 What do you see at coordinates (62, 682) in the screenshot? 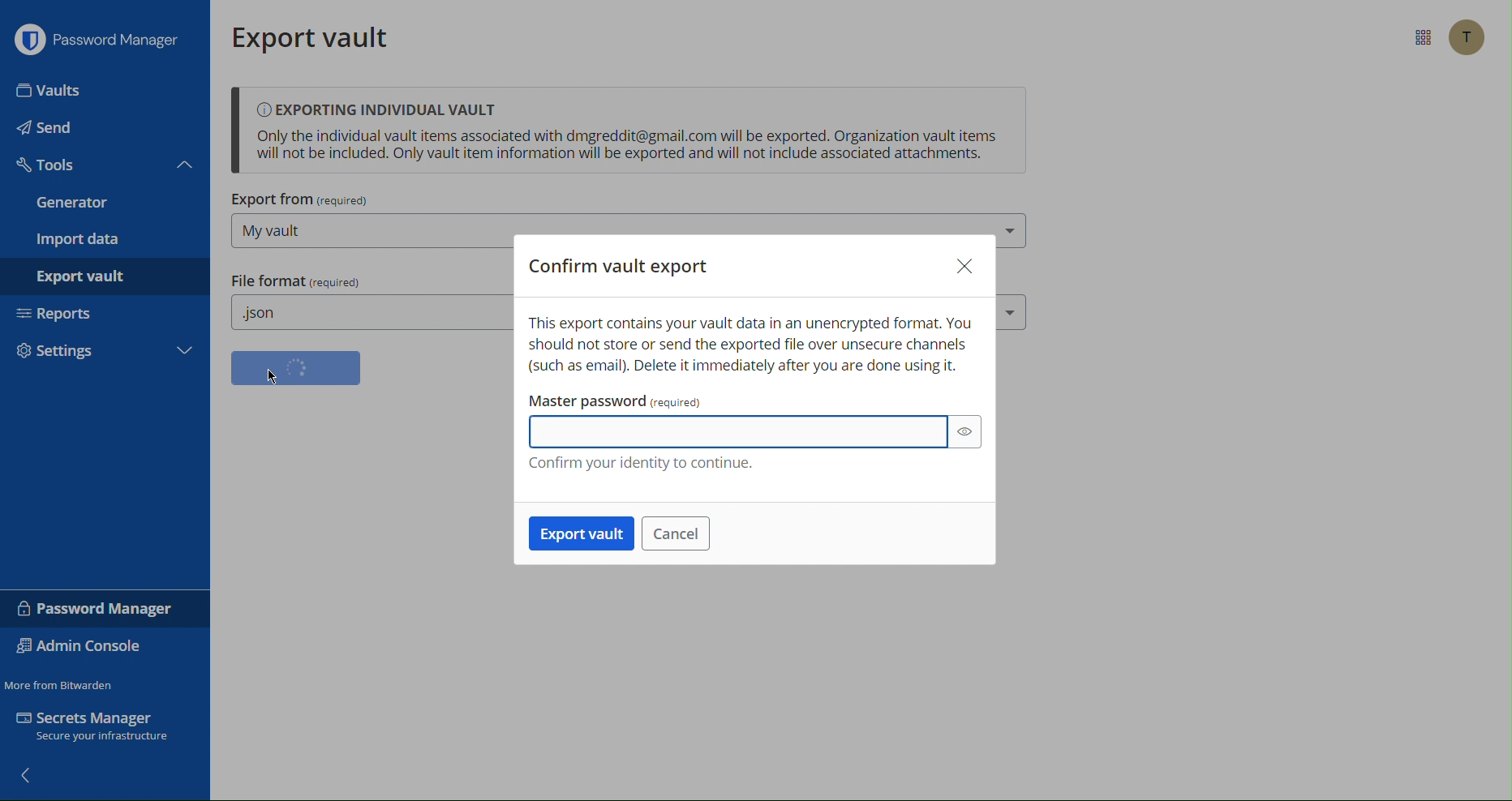
I see `Move from Bitwarden` at bounding box center [62, 682].